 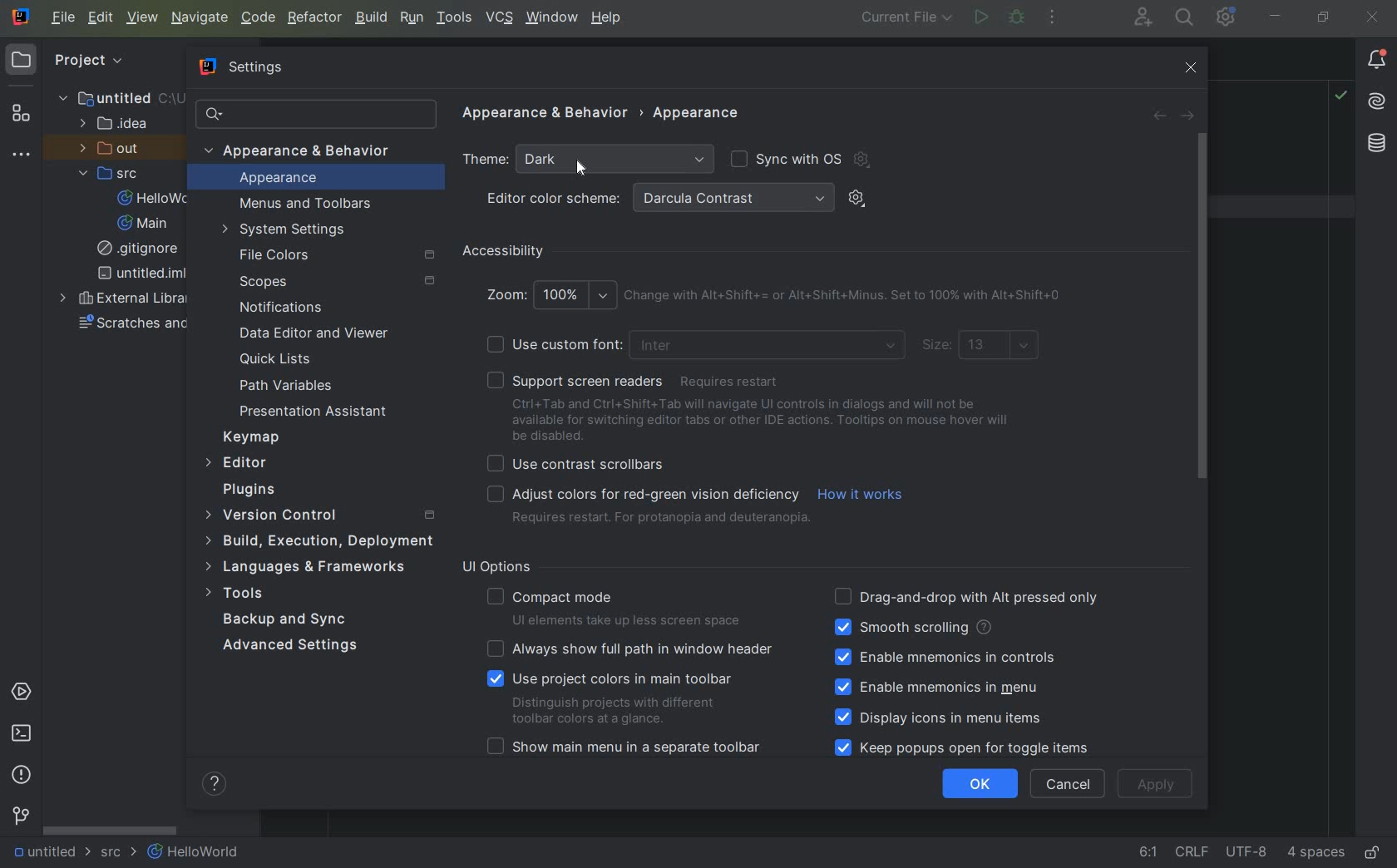 What do you see at coordinates (639, 381) in the screenshot?
I see `SUPPORT SCREEN READERS` at bounding box center [639, 381].